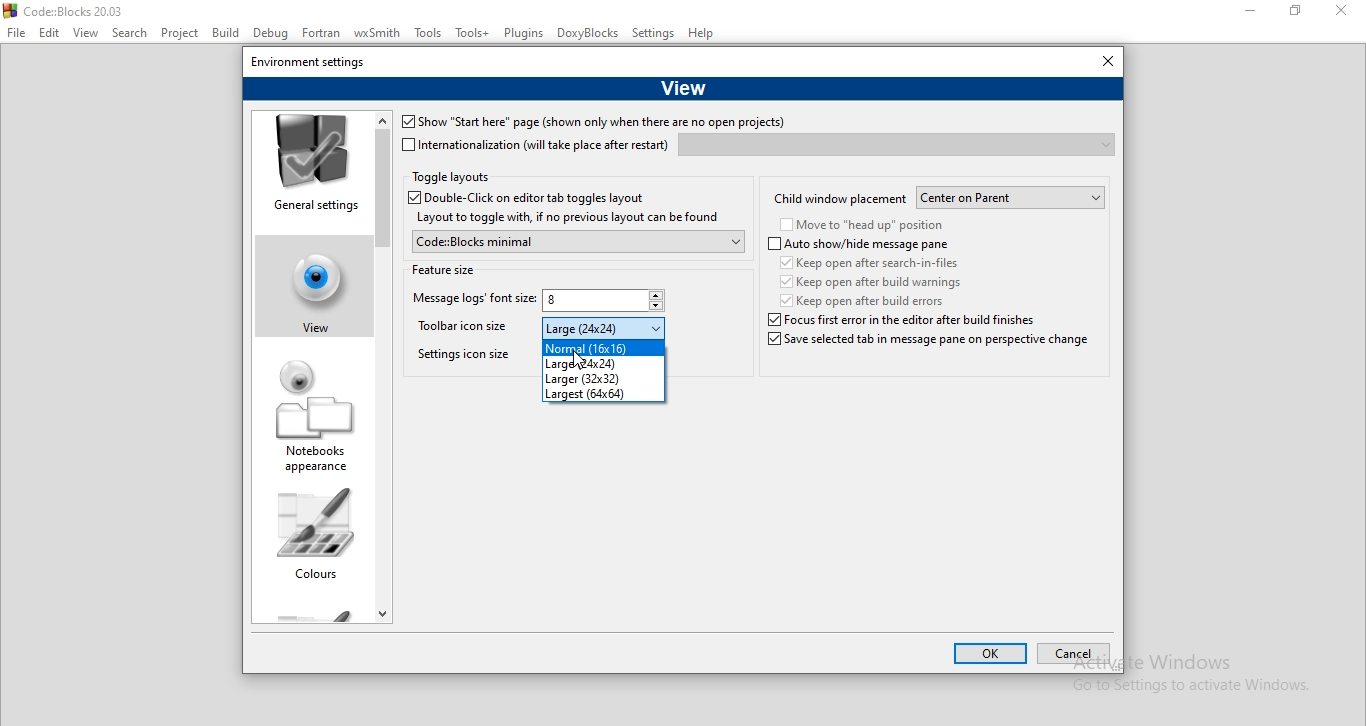  What do you see at coordinates (589, 34) in the screenshot?
I see `DoxyBlocks` at bounding box center [589, 34].